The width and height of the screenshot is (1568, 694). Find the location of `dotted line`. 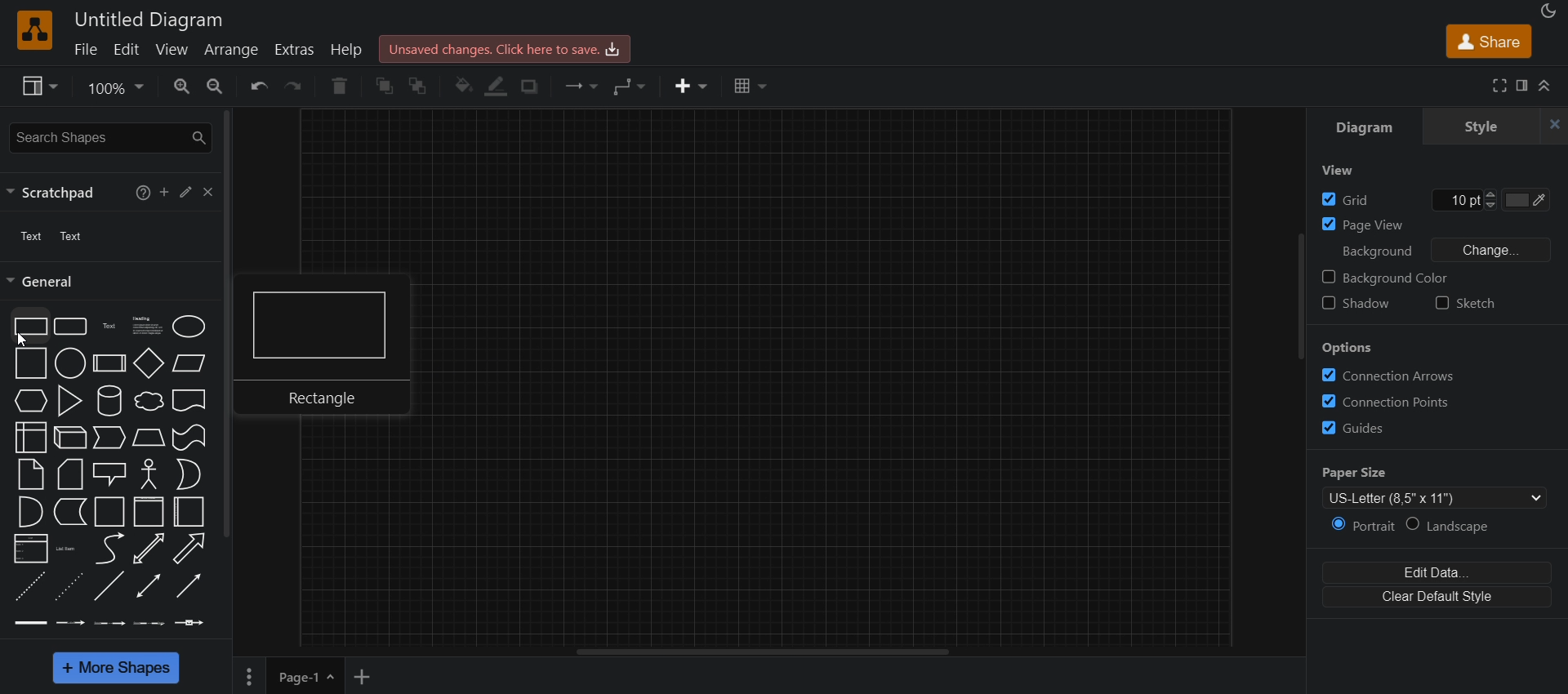

dotted line is located at coordinates (67, 589).